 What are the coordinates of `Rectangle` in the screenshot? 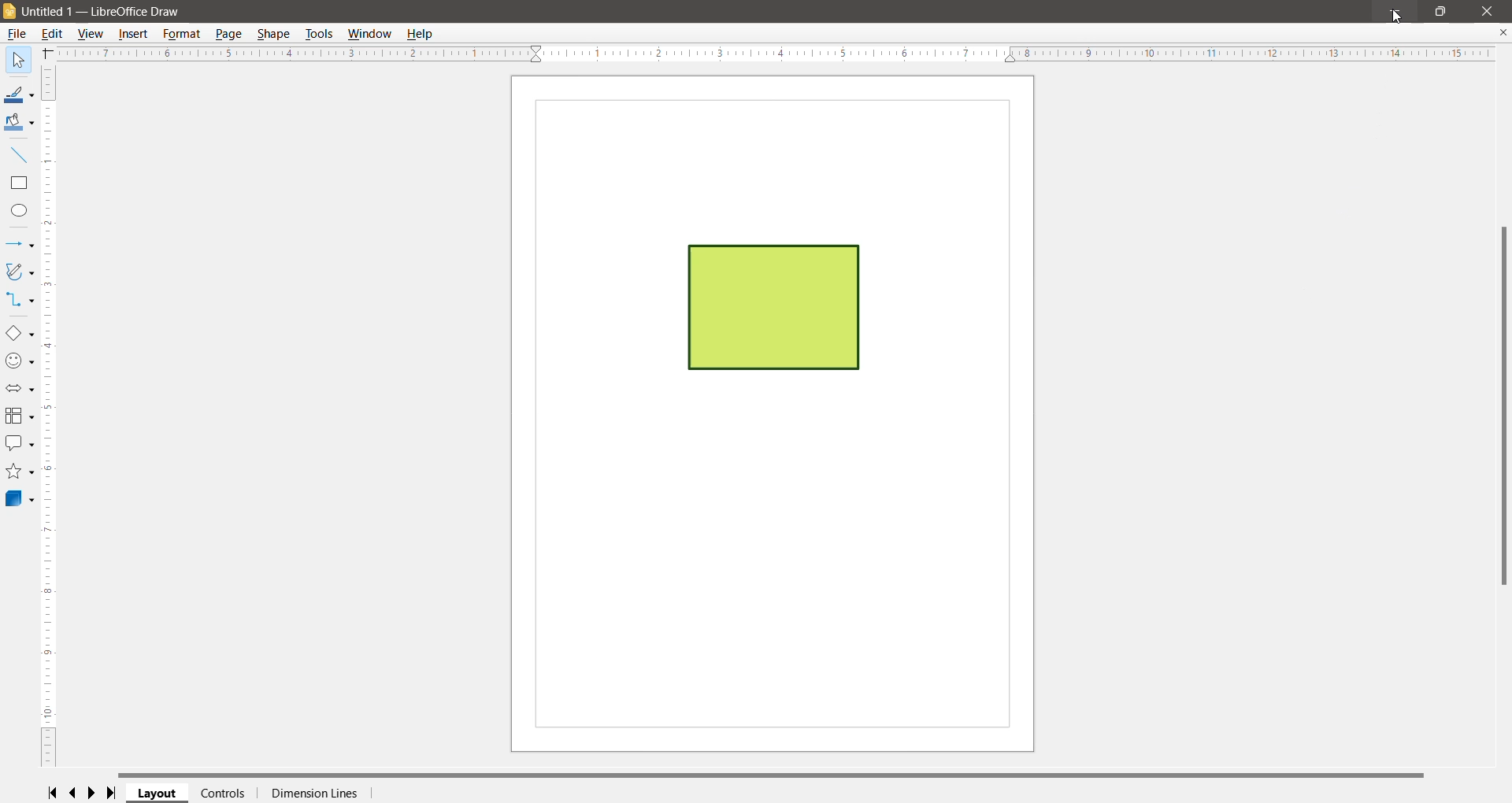 It's located at (20, 184).